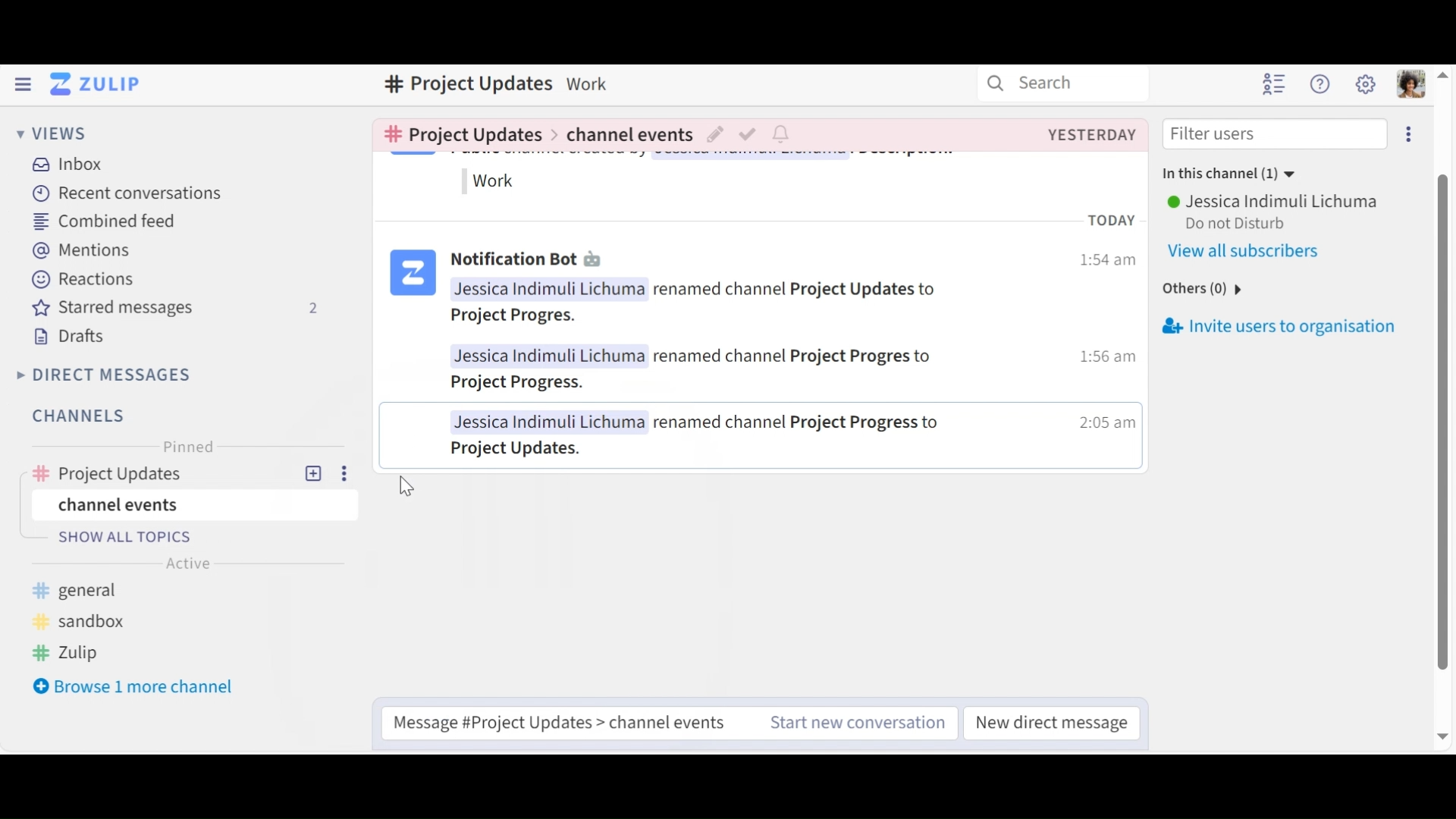 The width and height of the screenshot is (1456, 819). I want to click on Views, so click(52, 134).